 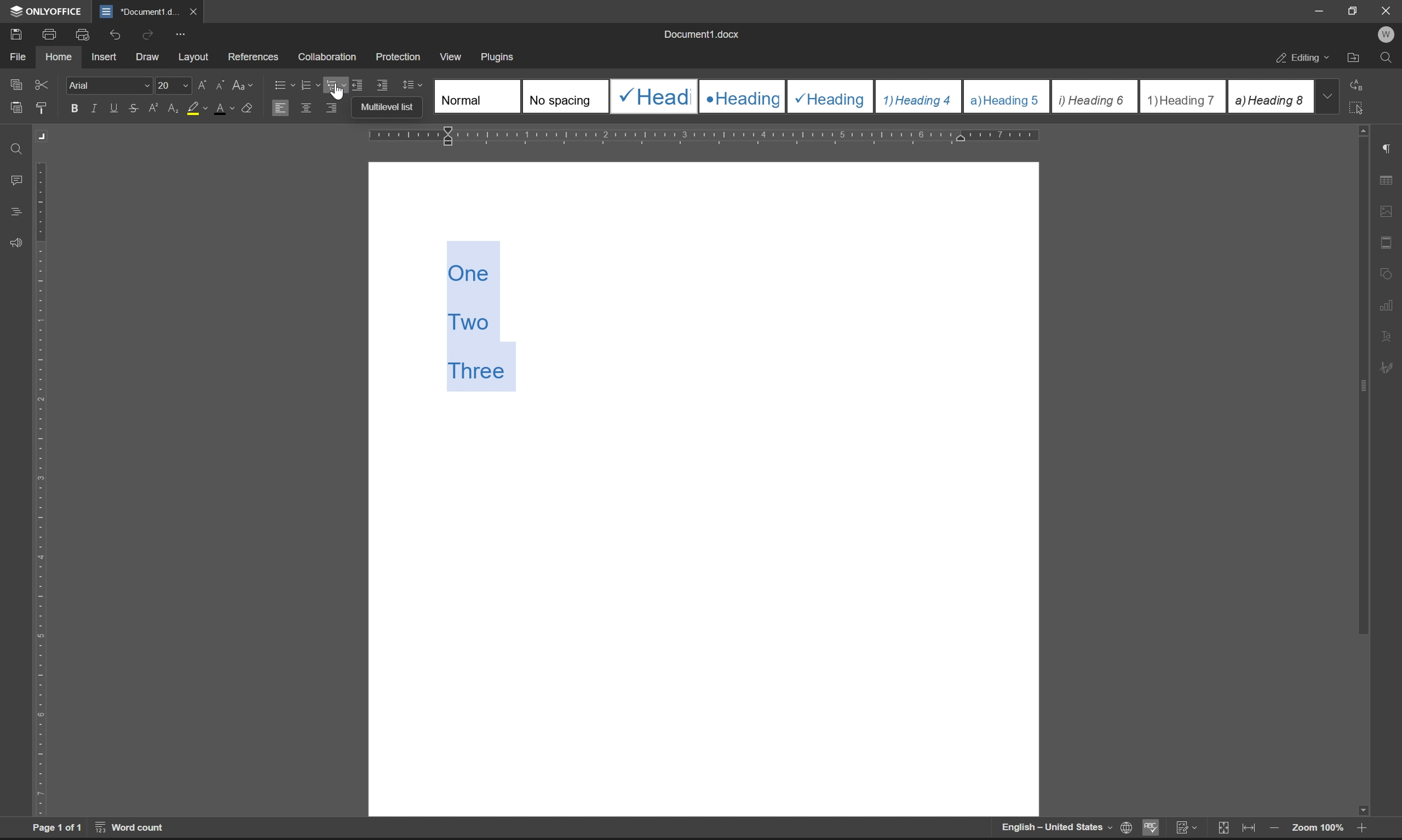 I want to click on collaboration, so click(x=331, y=57).